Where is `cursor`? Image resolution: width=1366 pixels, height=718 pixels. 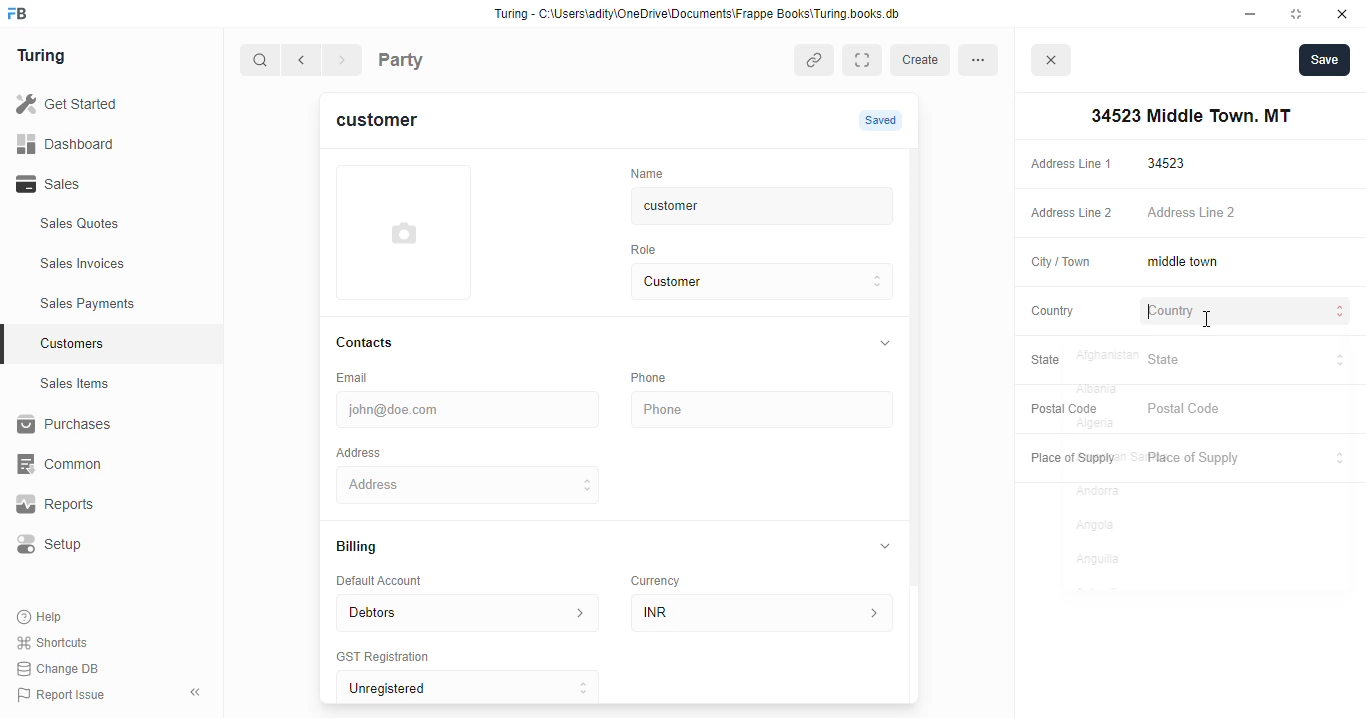
cursor is located at coordinates (1205, 320).